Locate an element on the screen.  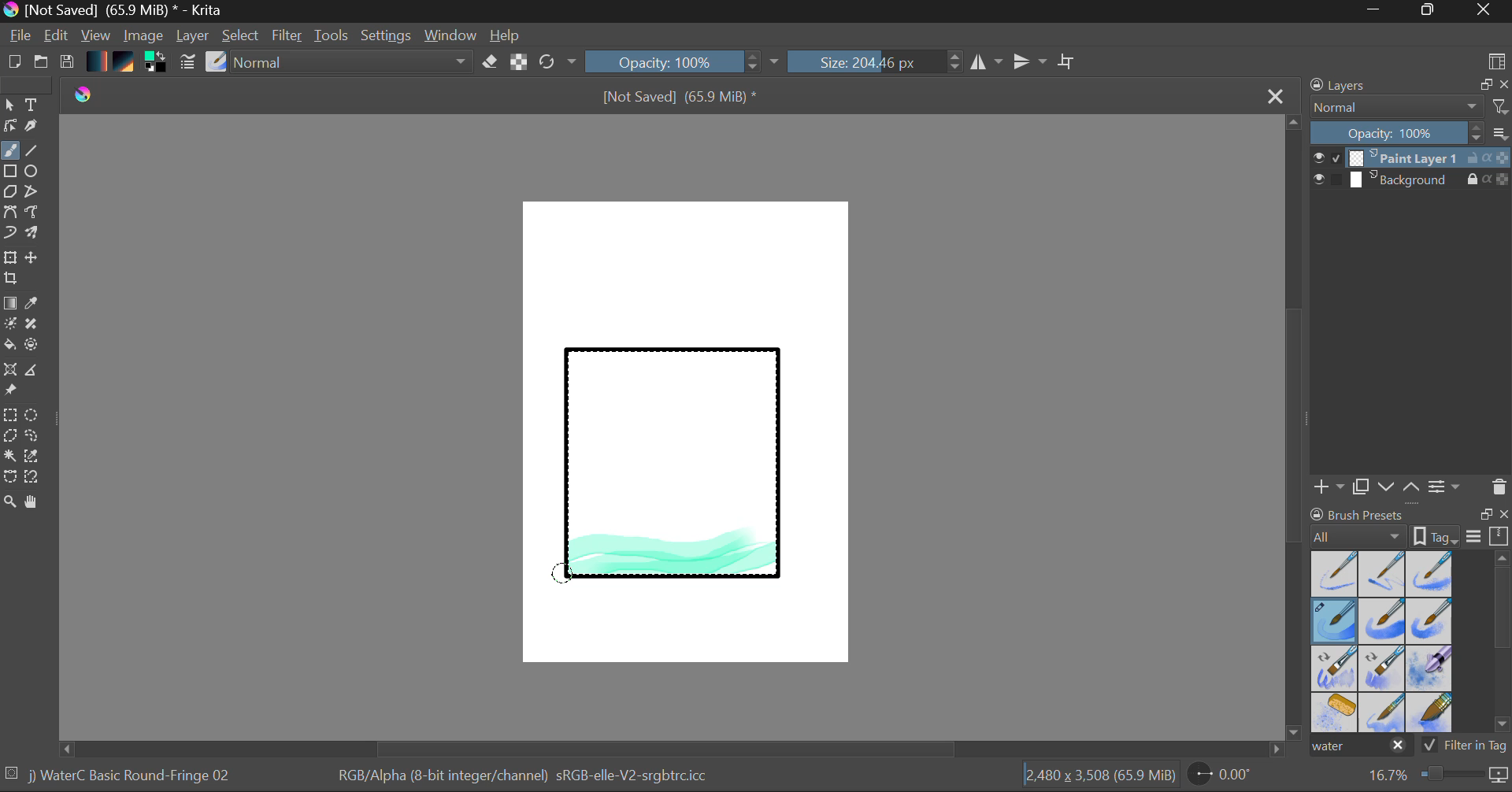
Paintbrush is located at coordinates (9, 152).